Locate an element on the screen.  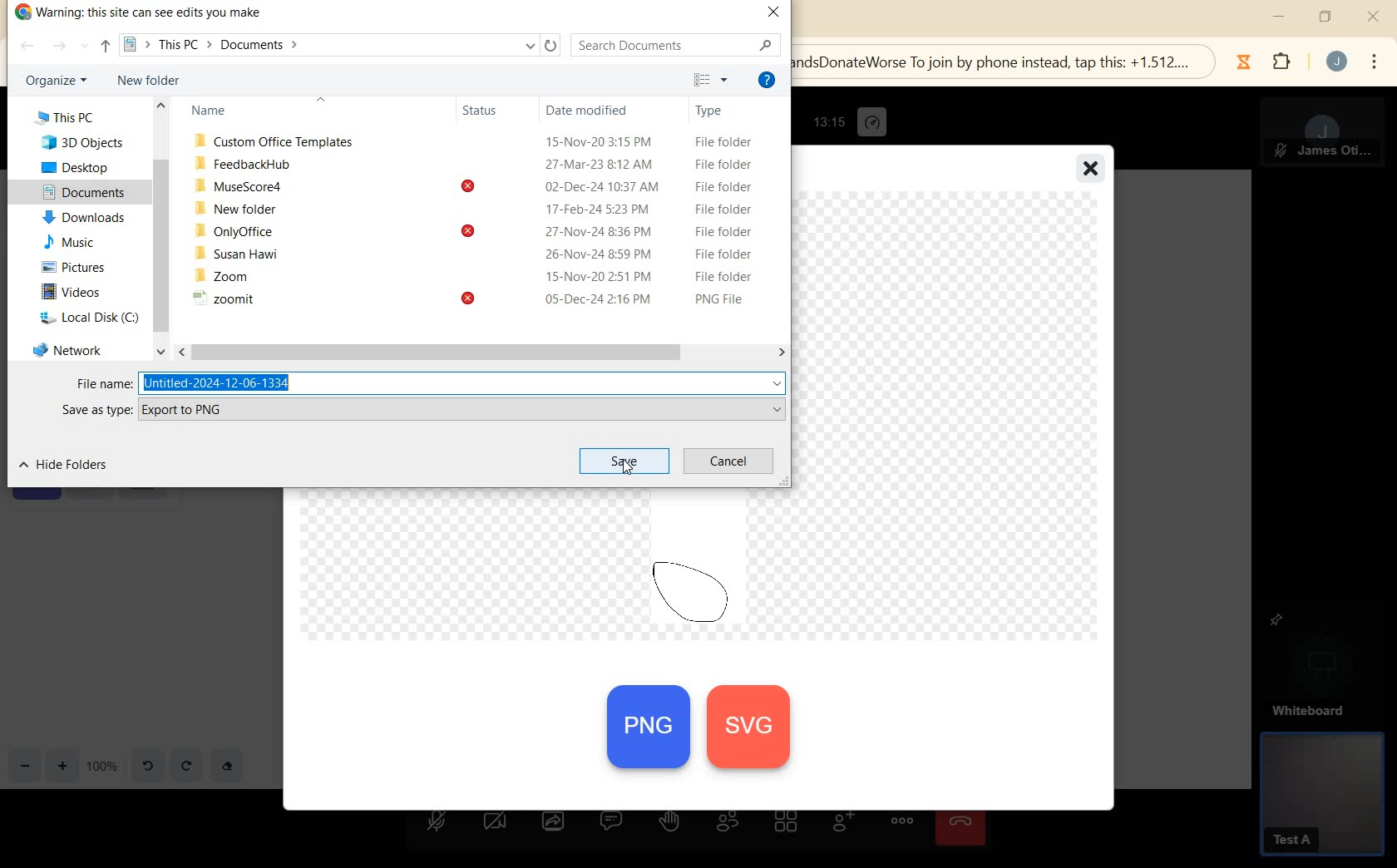
MuseScore4 [<] 02-Dec-24 10:37 AM File folder is located at coordinates (271, 185).